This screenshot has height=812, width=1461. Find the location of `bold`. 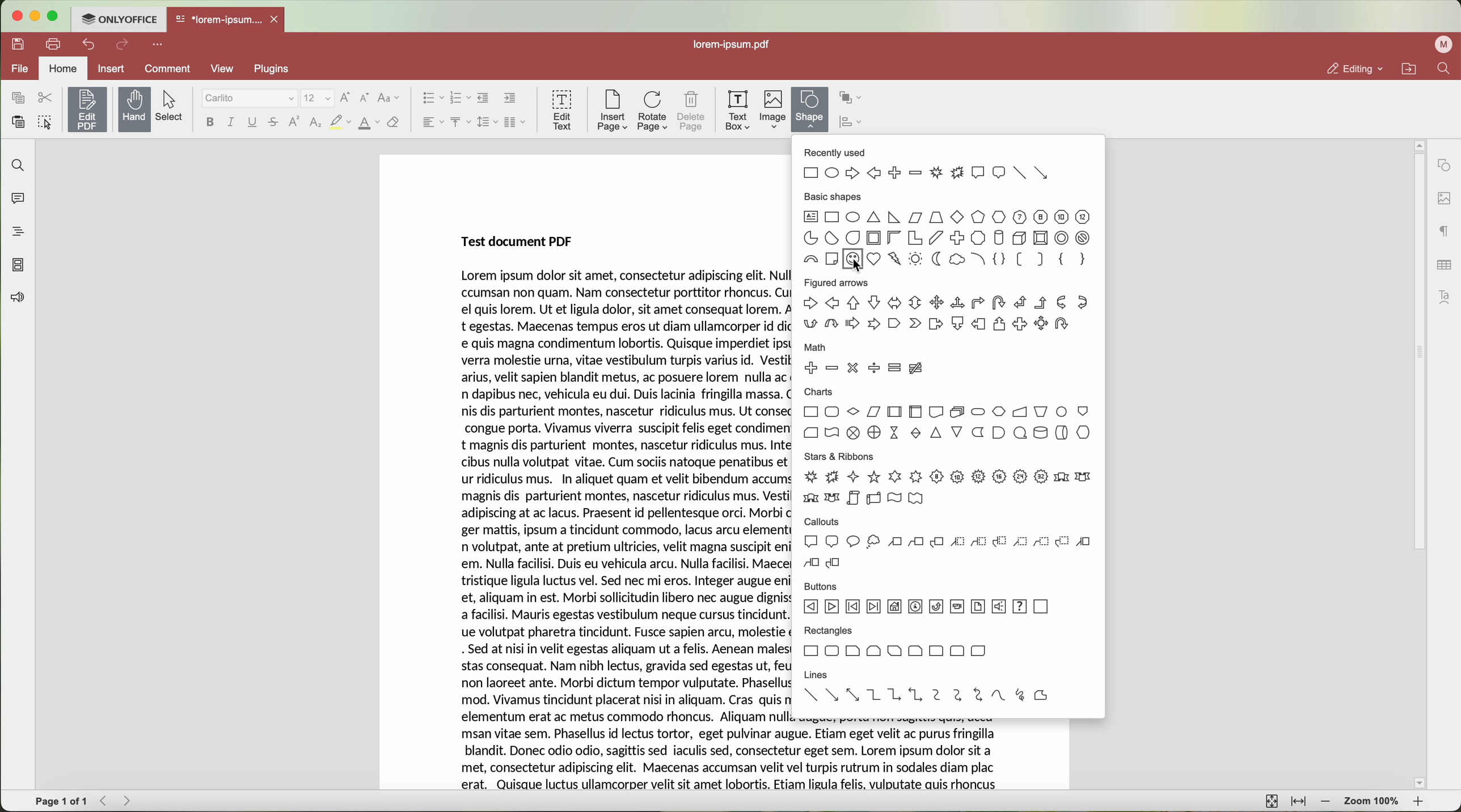

bold is located at coordinates (208, 122).